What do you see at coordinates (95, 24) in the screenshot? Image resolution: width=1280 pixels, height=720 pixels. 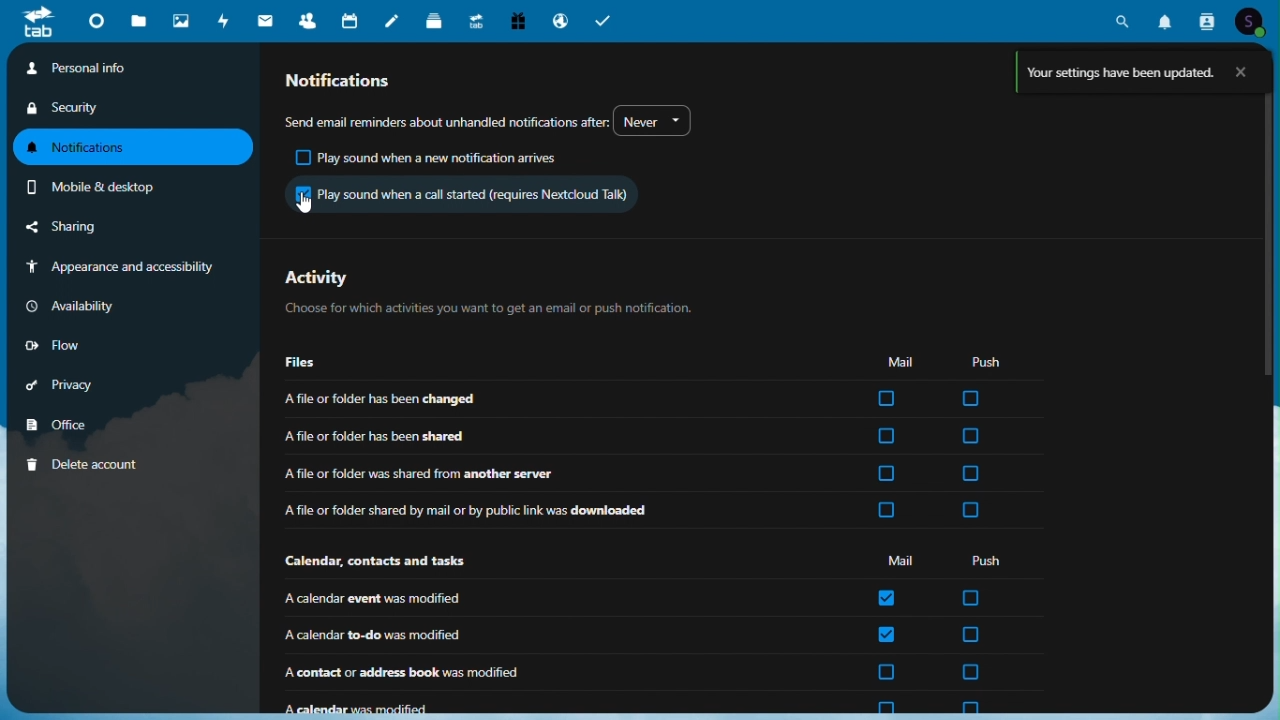 I see `Dashboard` at bounding box center [95, 24].